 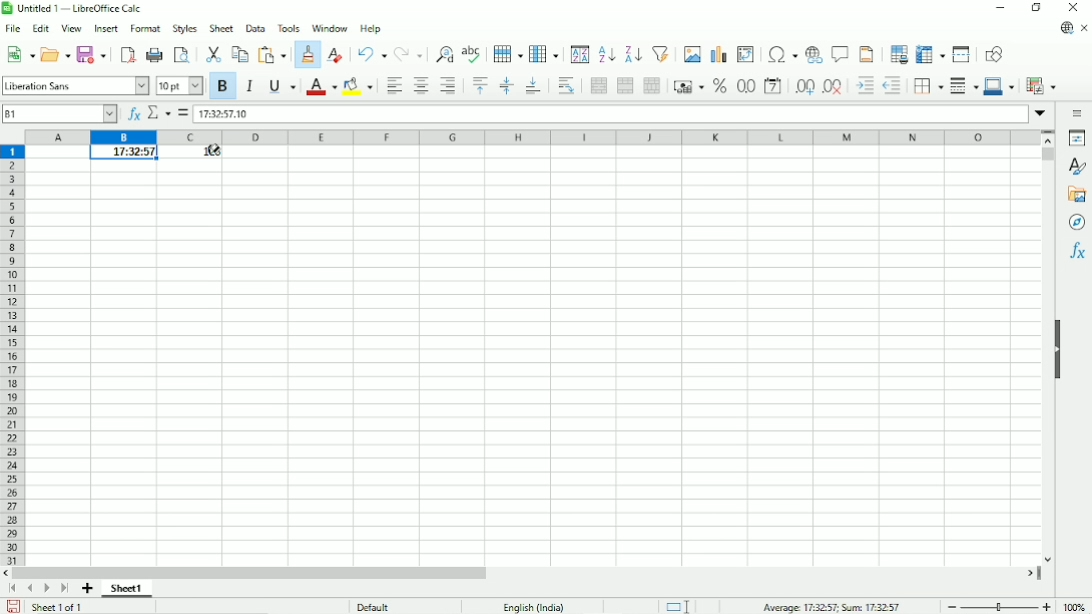 I want to click on Expand formula bar, so click(x=1042, y=115).